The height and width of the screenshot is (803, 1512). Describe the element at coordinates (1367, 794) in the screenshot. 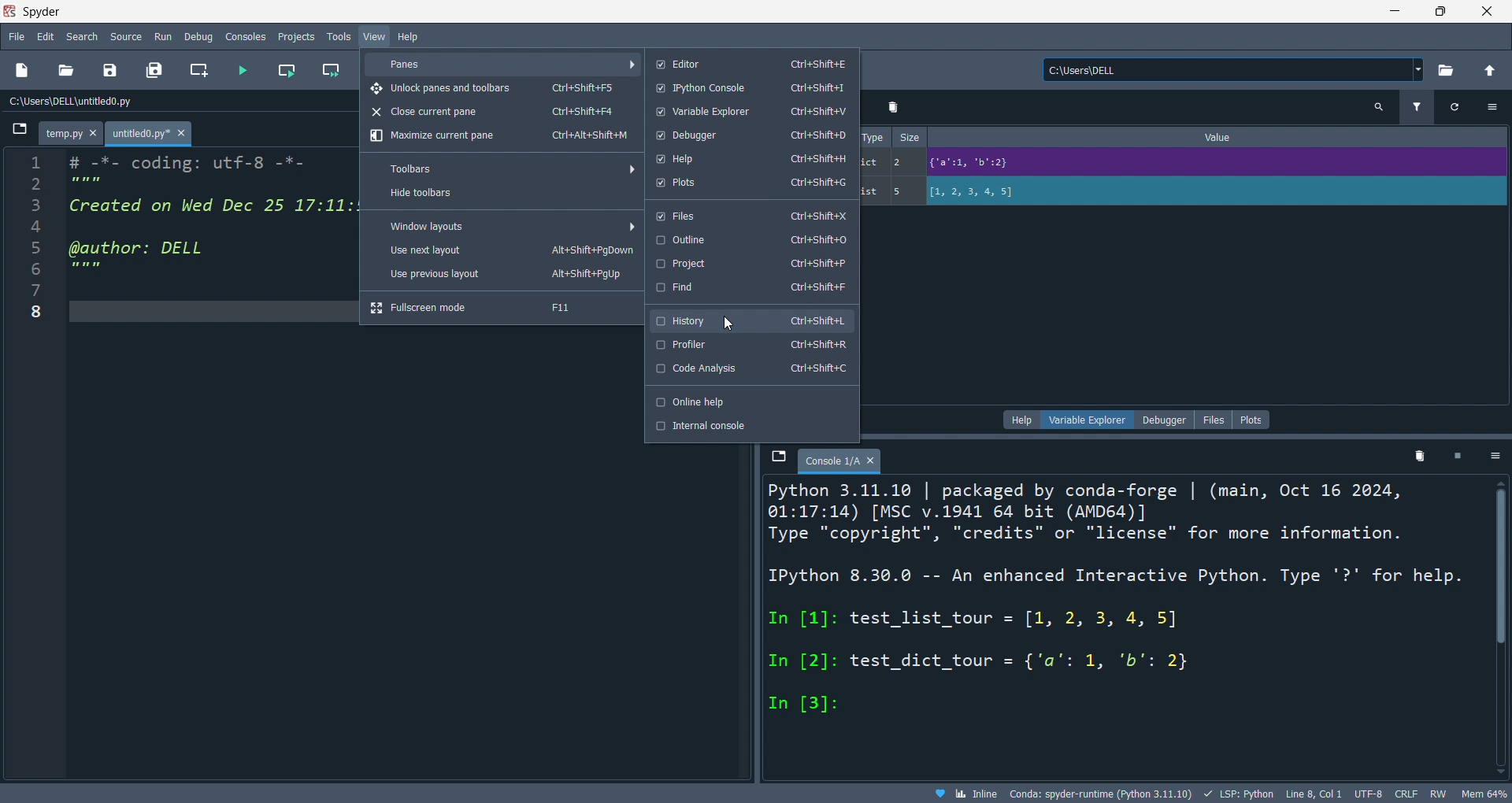

I see `file encoding` at that location.